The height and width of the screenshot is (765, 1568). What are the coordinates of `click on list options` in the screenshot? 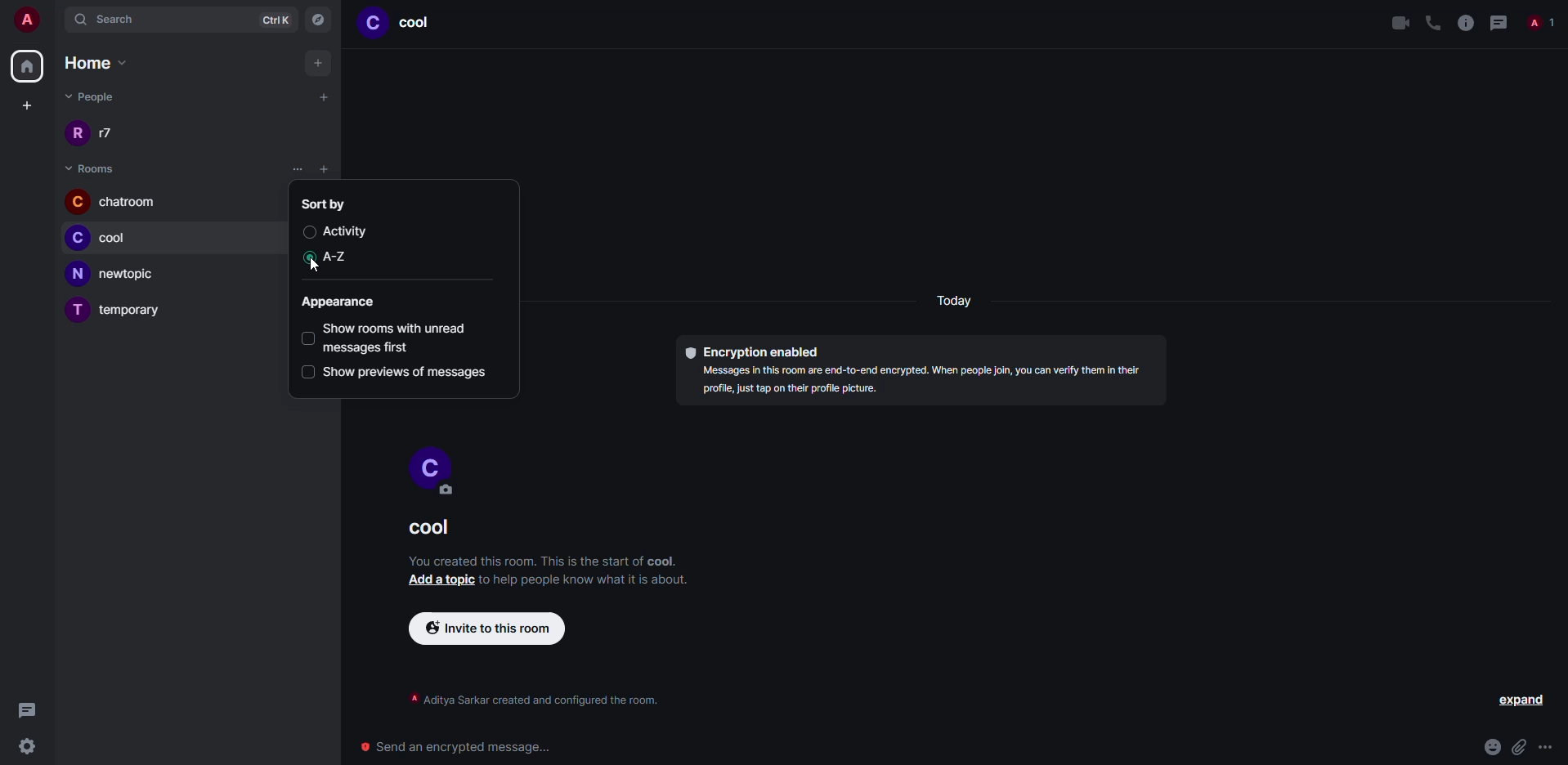 It's located at (298, 169).